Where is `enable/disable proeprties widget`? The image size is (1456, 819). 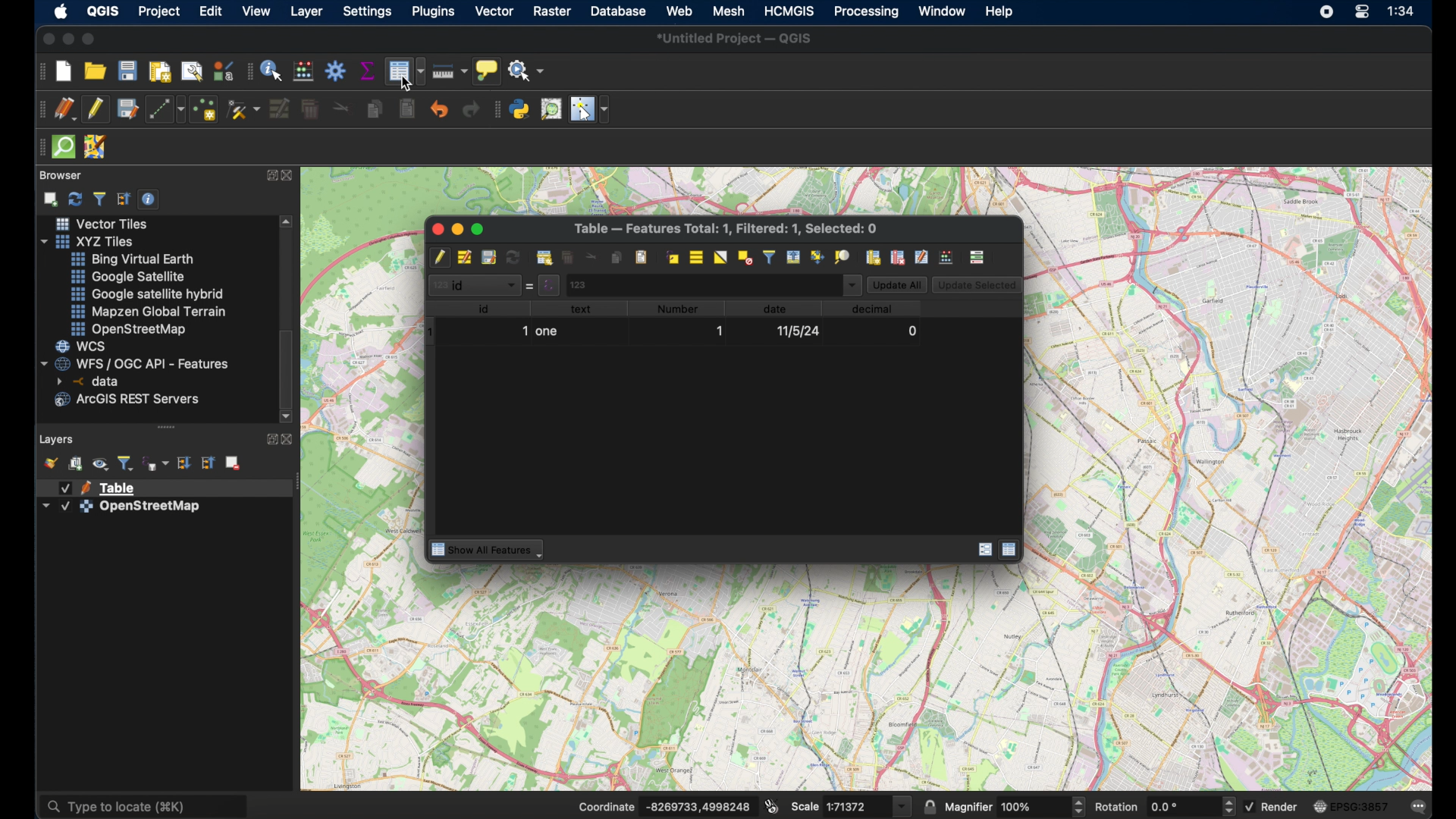
enable/disable proeprties widget is located at coordinates (149, 199).